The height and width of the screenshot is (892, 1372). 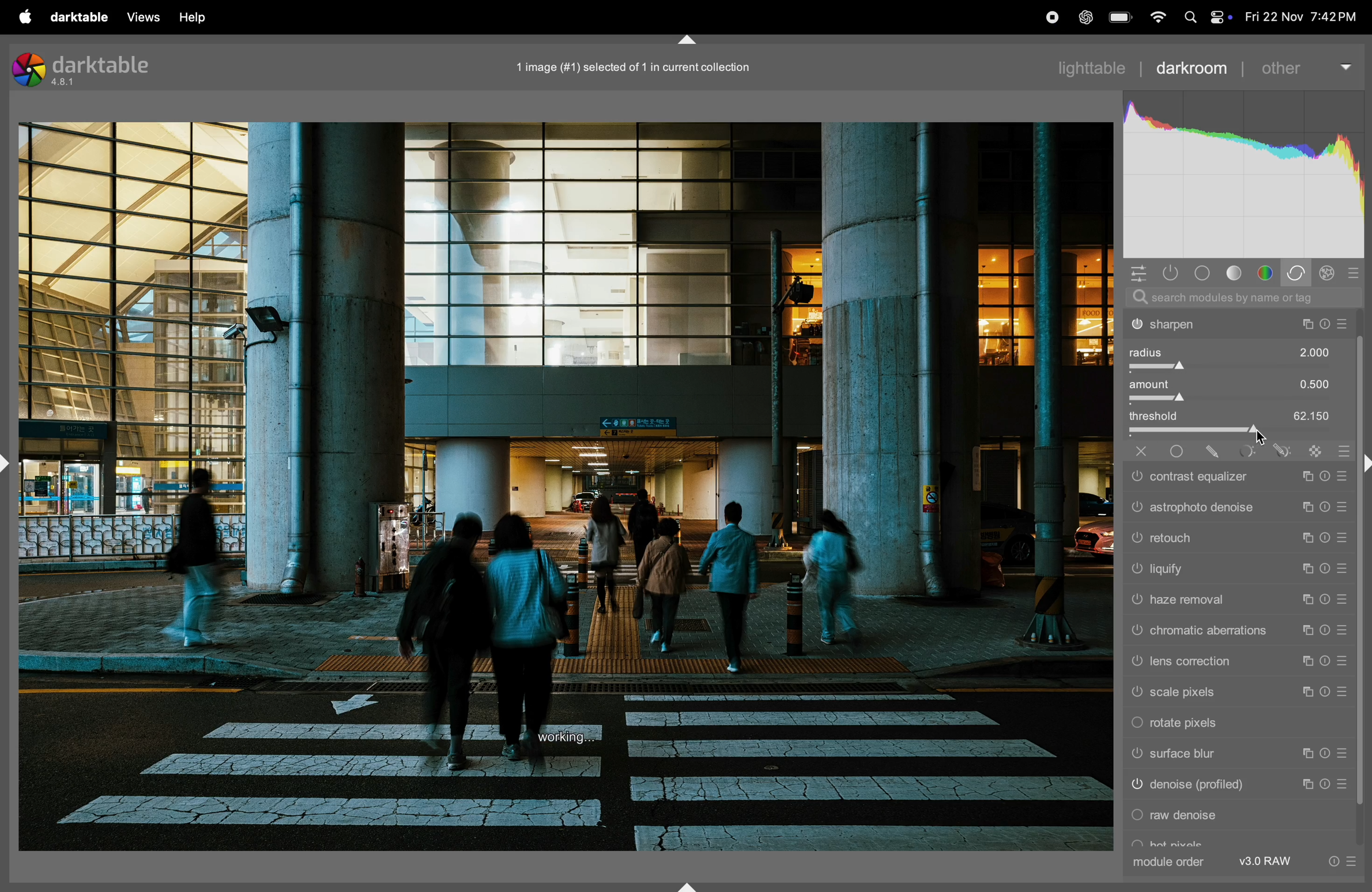 What do you see at coordinates (1340, 861) in the screenshot?
I see `info` at bounding box center [1340, 861].